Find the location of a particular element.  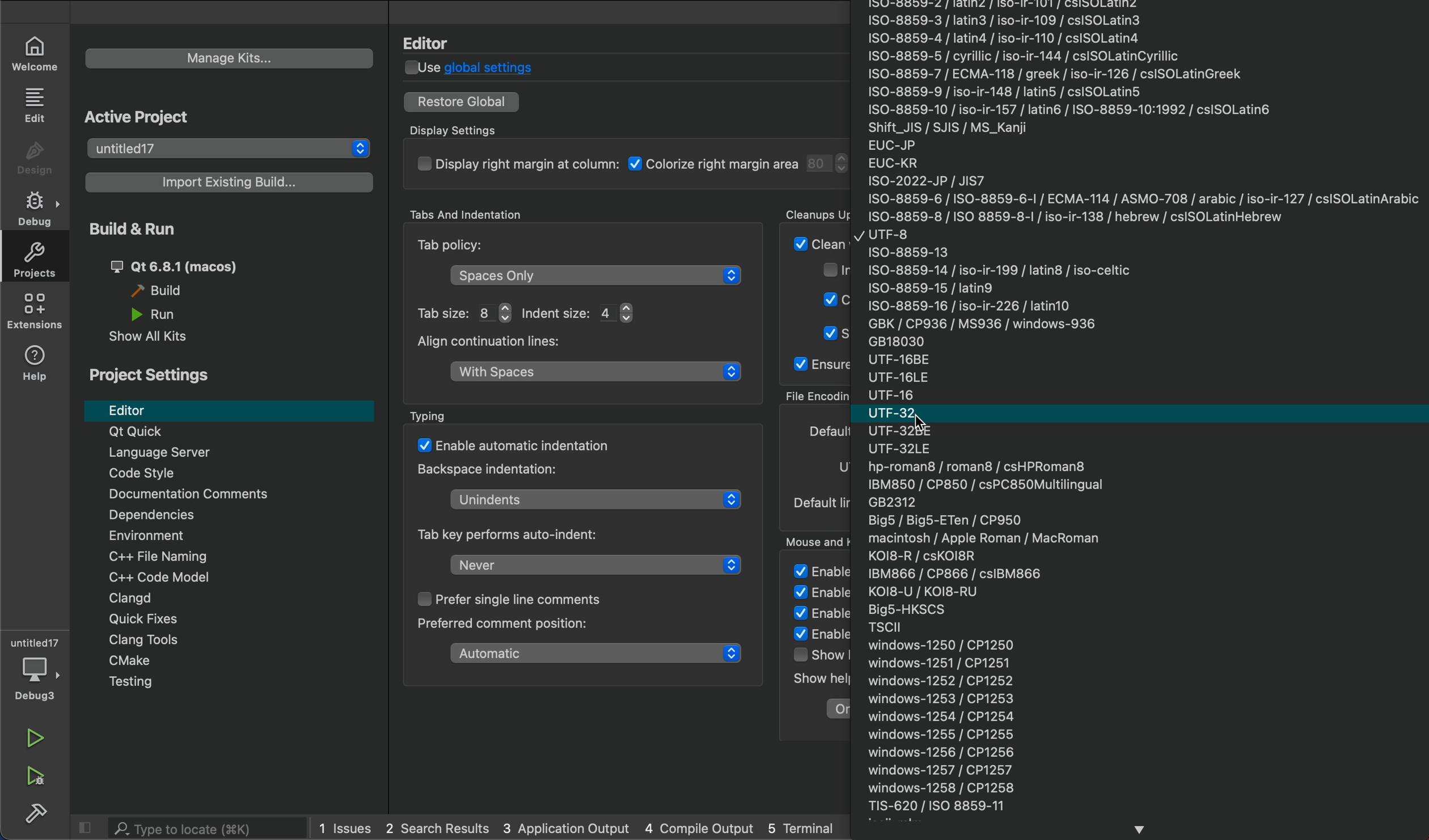

cleanup savings is located at coordinates (817, 299).